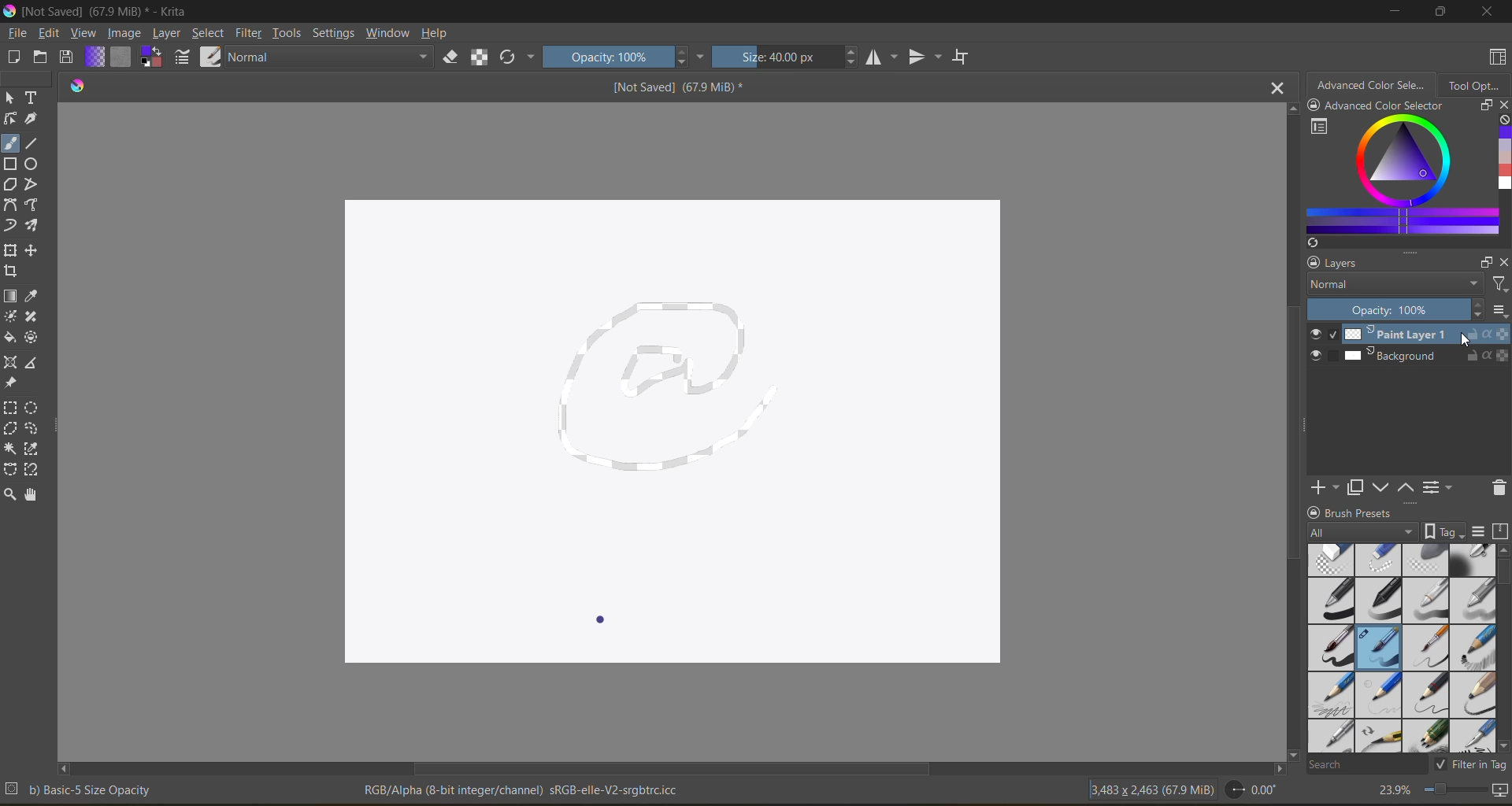 The image size is (1512, 806). What do you see at coordinates (32, 162) in the screenshot?
I see `ellipse` at bounding box center [32, 162].